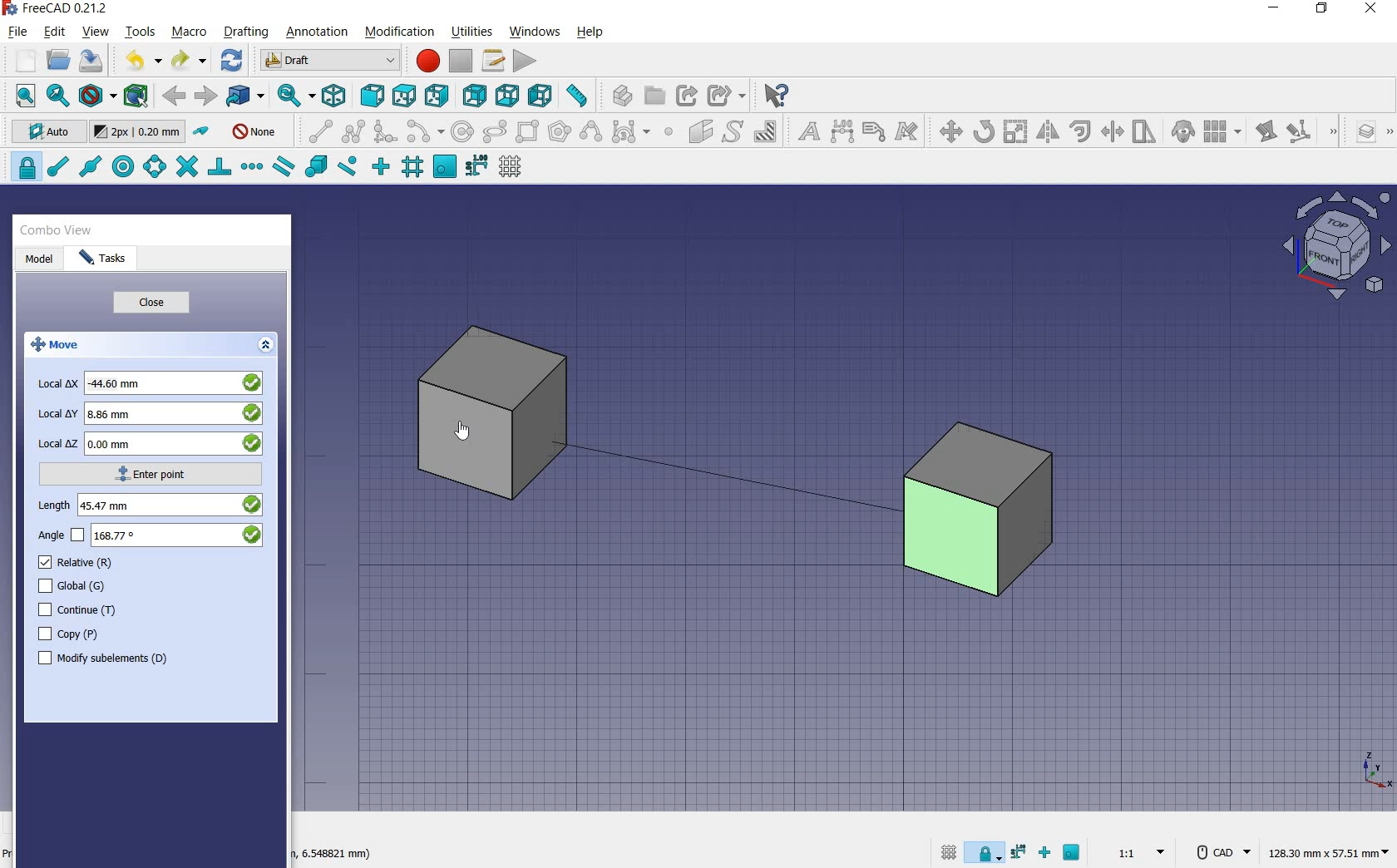 Image resolution: width=1397 pixels, height=868 pixels. Describe the element at coordinates (246, 32) in the screenshot. I see `drafting` at that location.